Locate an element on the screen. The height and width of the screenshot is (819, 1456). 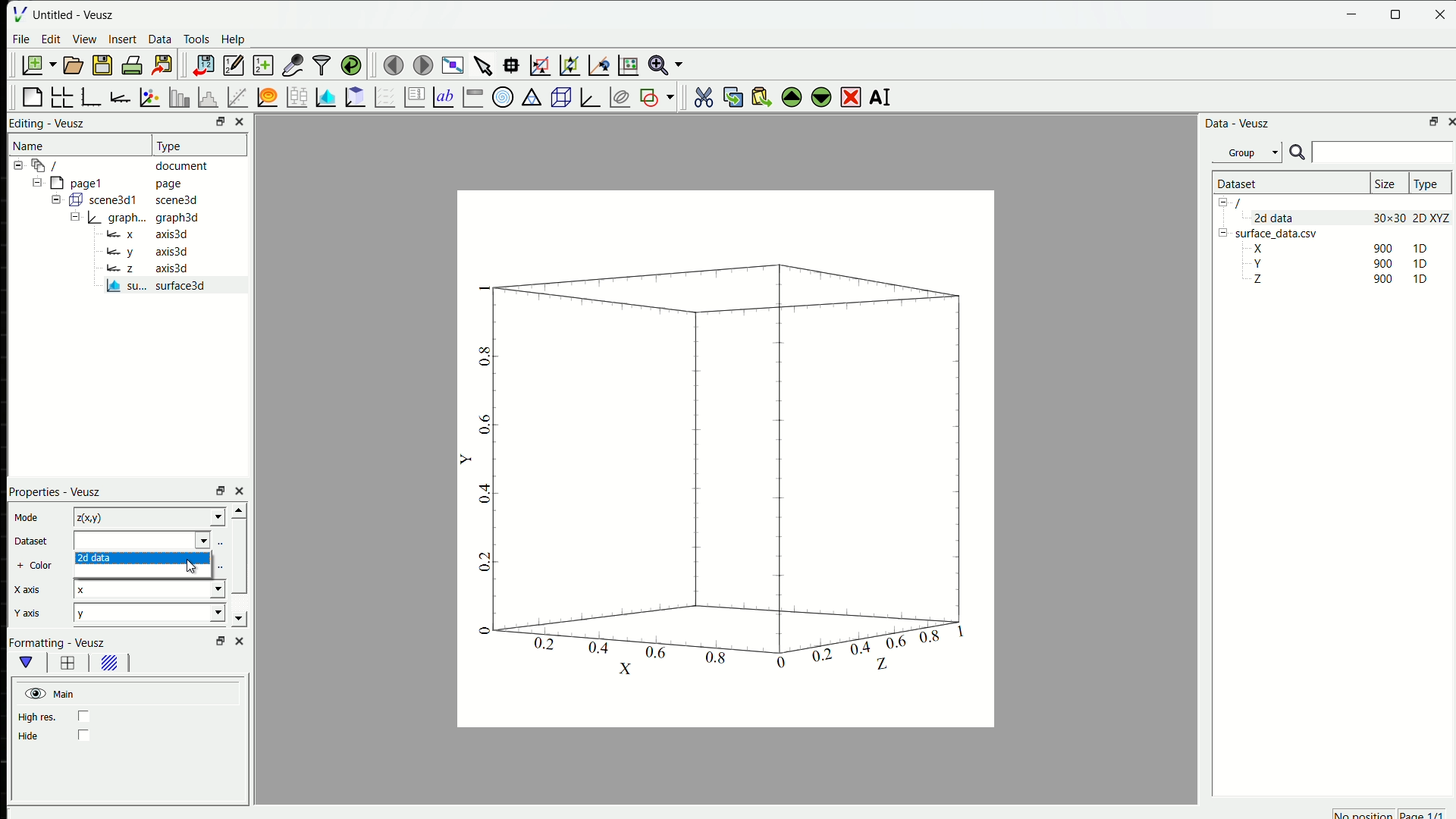
Dataset is located at coordinates (1239, 184).